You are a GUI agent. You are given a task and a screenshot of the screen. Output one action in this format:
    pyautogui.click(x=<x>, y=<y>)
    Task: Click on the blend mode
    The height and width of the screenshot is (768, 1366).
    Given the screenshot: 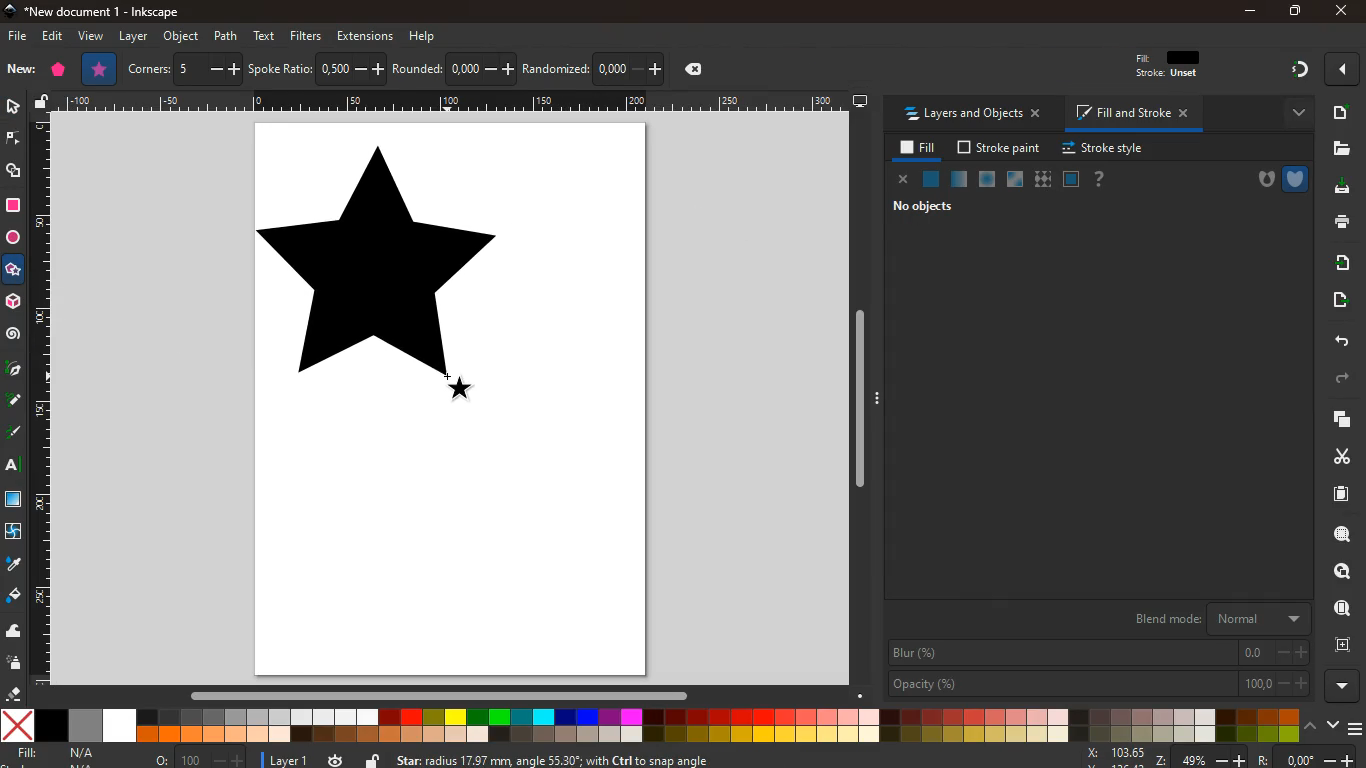 What is the action you would take?
    pyautogui.click(x=1209, y=618)
    